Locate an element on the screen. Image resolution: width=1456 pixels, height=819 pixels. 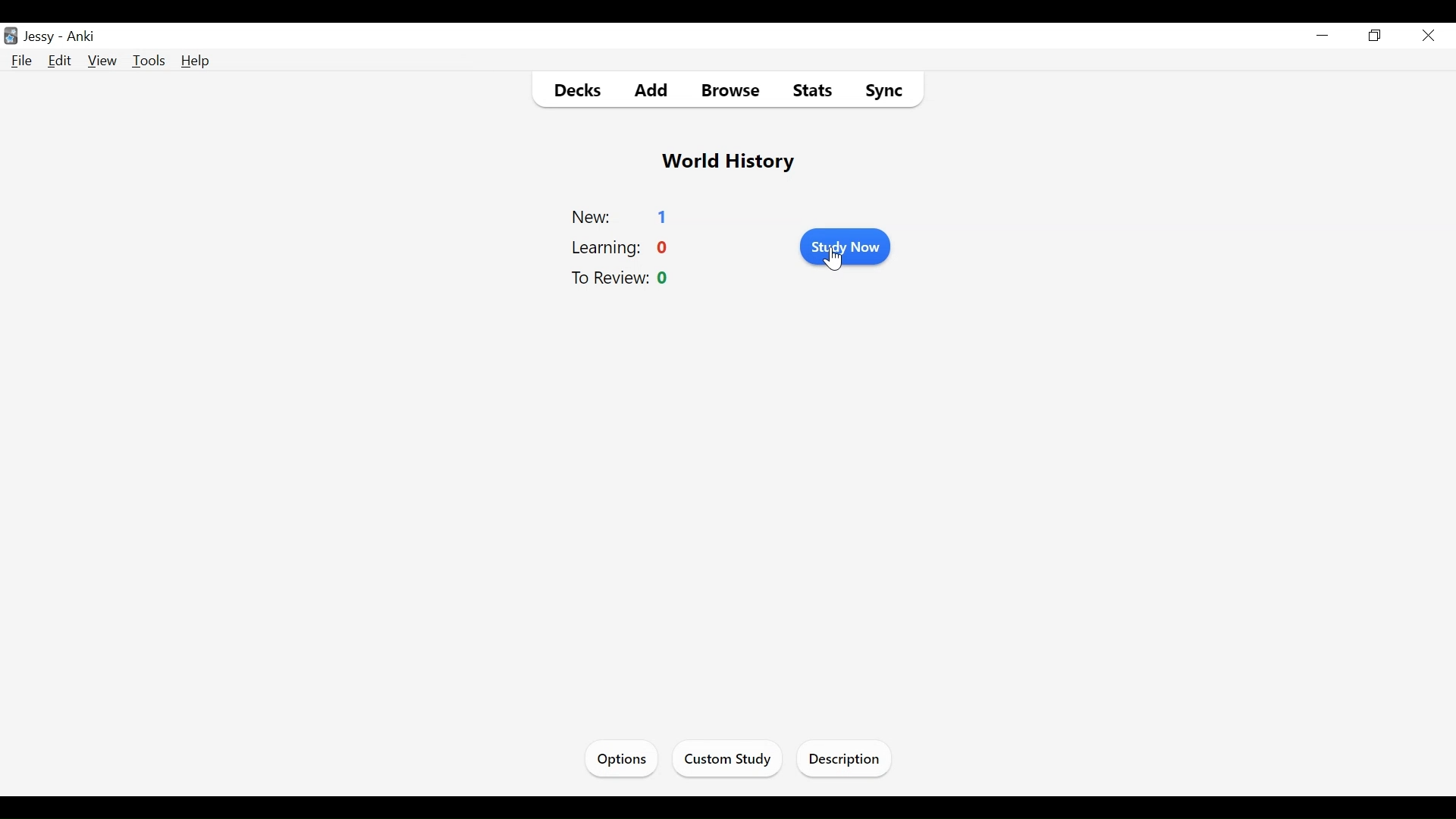
Restore is located at coordinates (1376, 36).